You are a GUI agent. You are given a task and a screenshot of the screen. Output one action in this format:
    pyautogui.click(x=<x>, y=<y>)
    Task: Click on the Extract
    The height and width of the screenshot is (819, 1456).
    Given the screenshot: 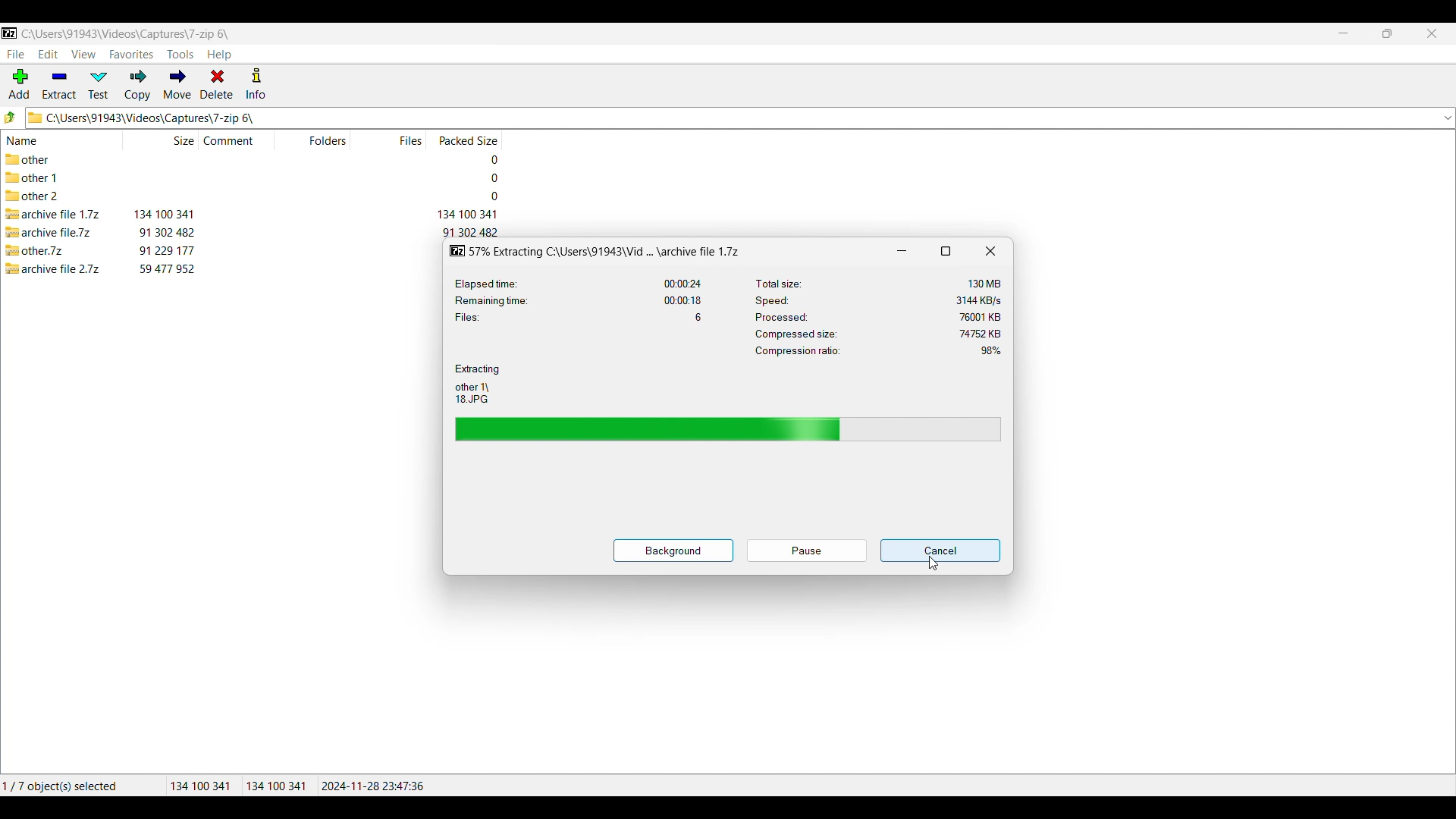 What is the action you would take?
    pyautogui.click(x=59, y=85)
    